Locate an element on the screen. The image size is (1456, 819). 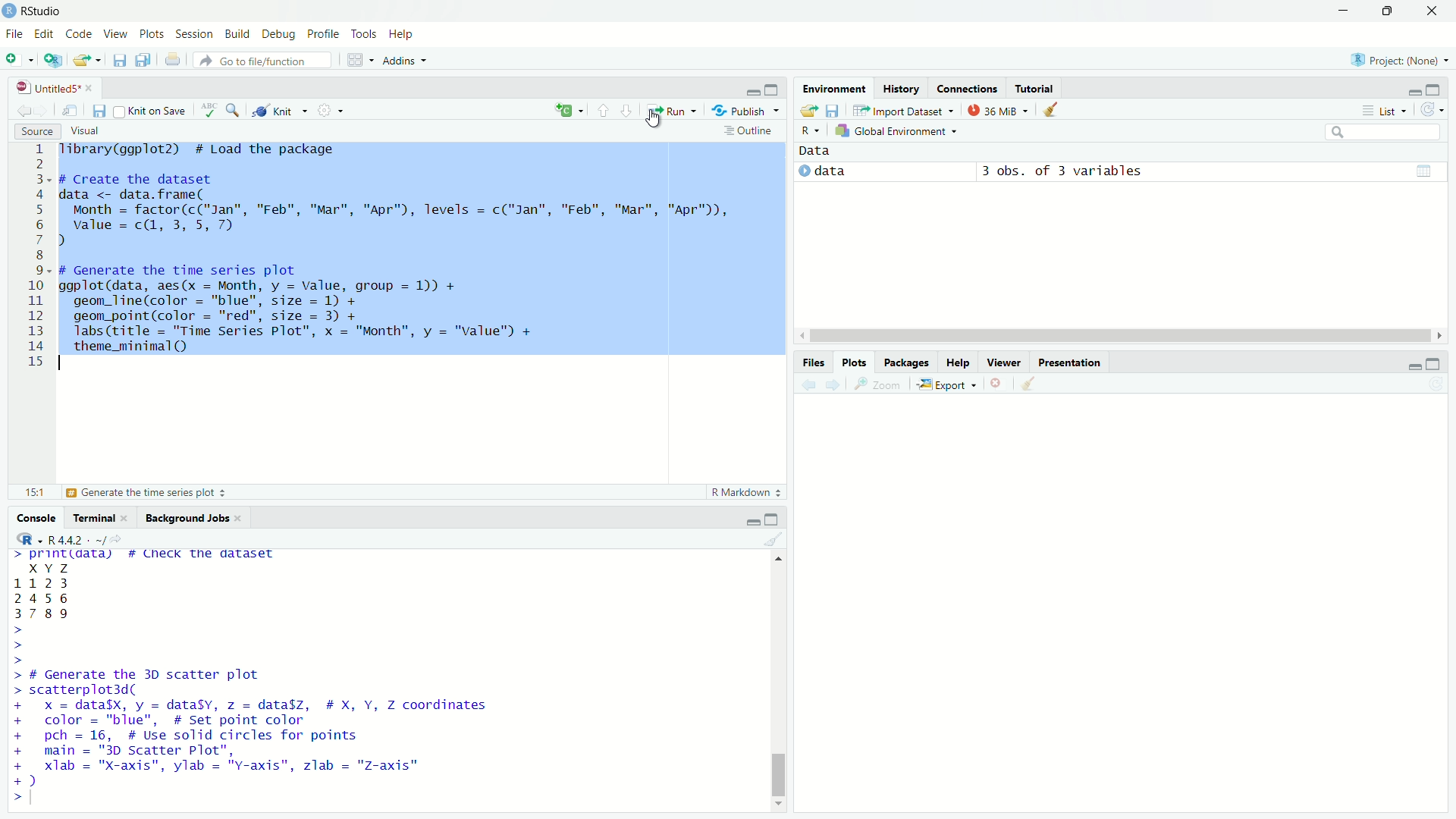
save current document is located at coordinates (120, 60).